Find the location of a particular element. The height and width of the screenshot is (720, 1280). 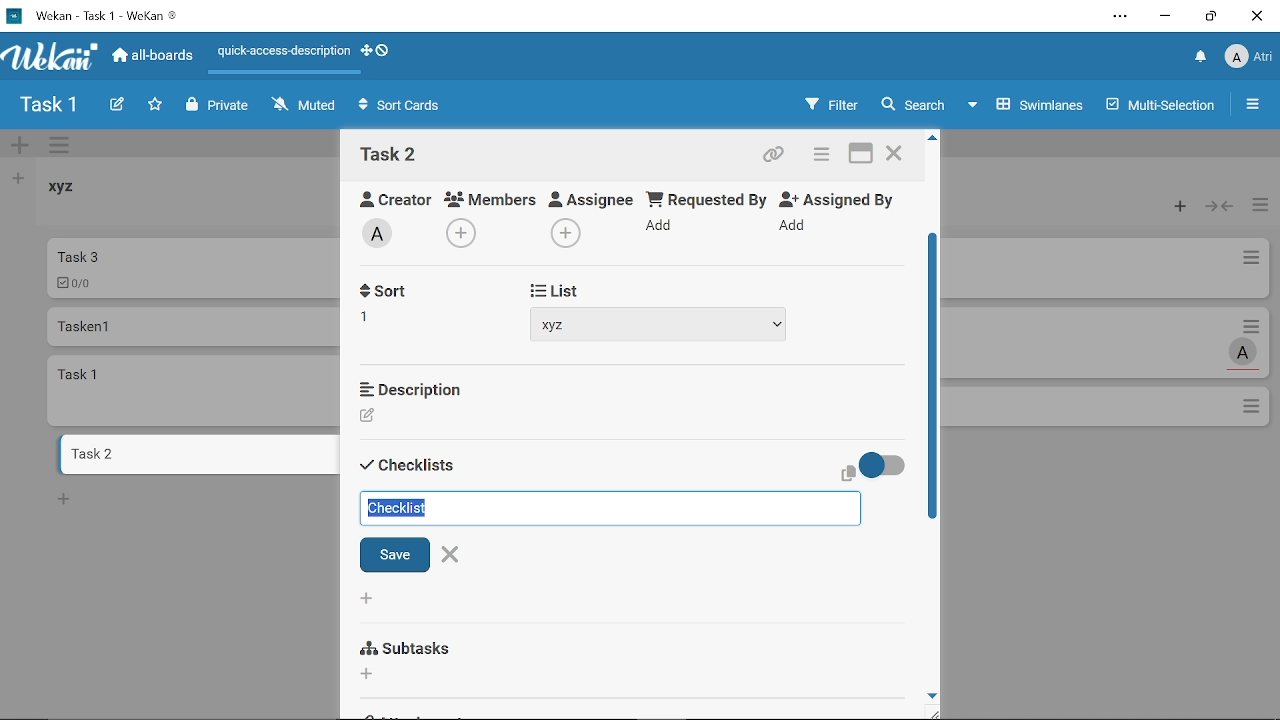

App logo is located at coordinates (51, 56).